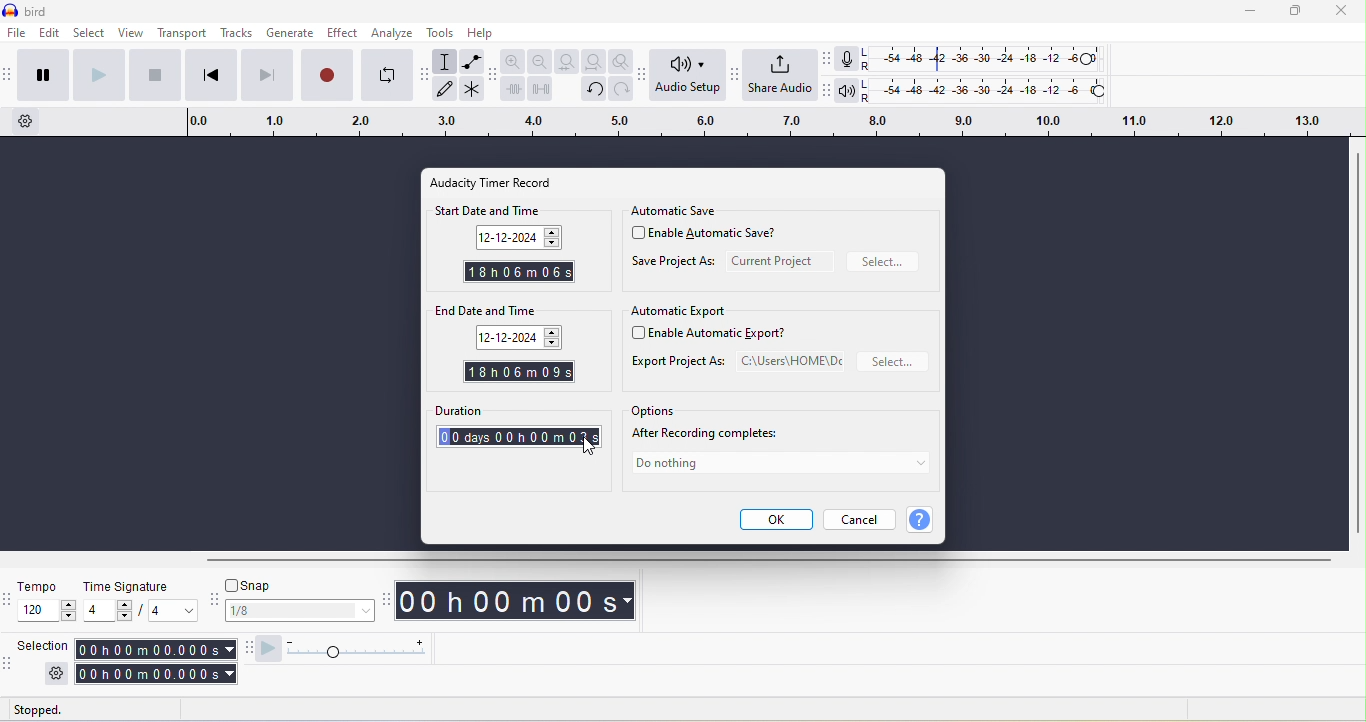 This screenshot has width=1366, height=722. What do you see at coordinates (28, 123) in the screenshot?
I see `timeline options` at bounding box center [28, 123].